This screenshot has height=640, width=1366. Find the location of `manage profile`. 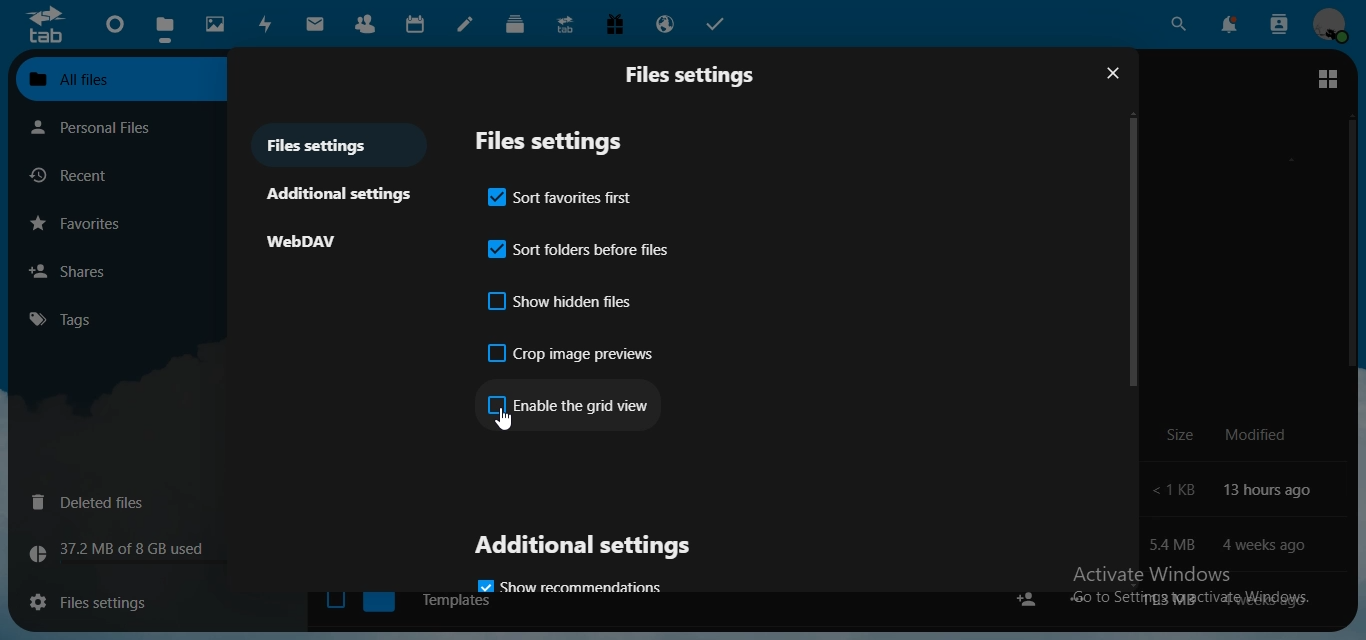

manage profile is located at coordinates (1331, 27).